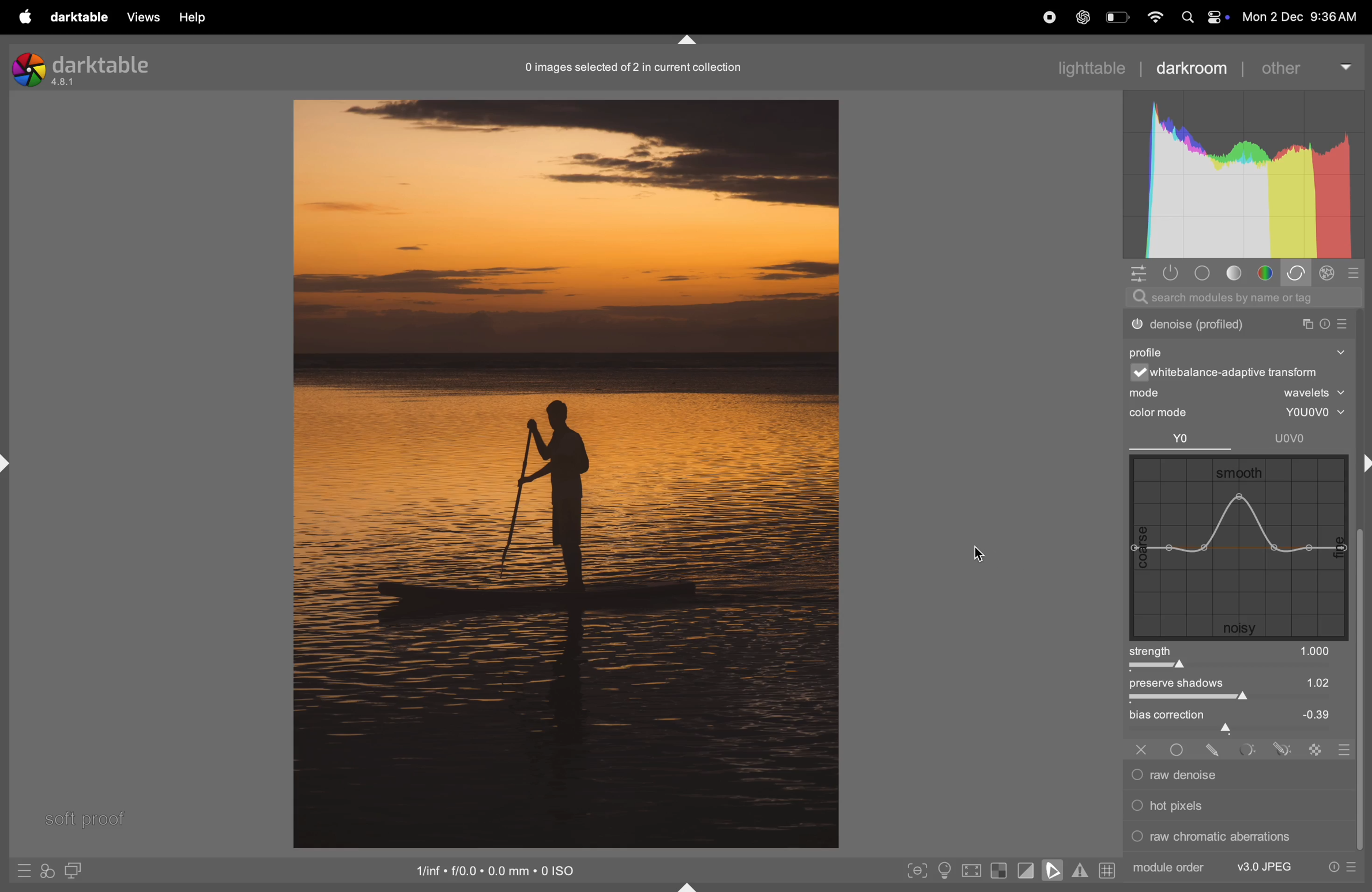  I want to click on iso, so click(499, 870).